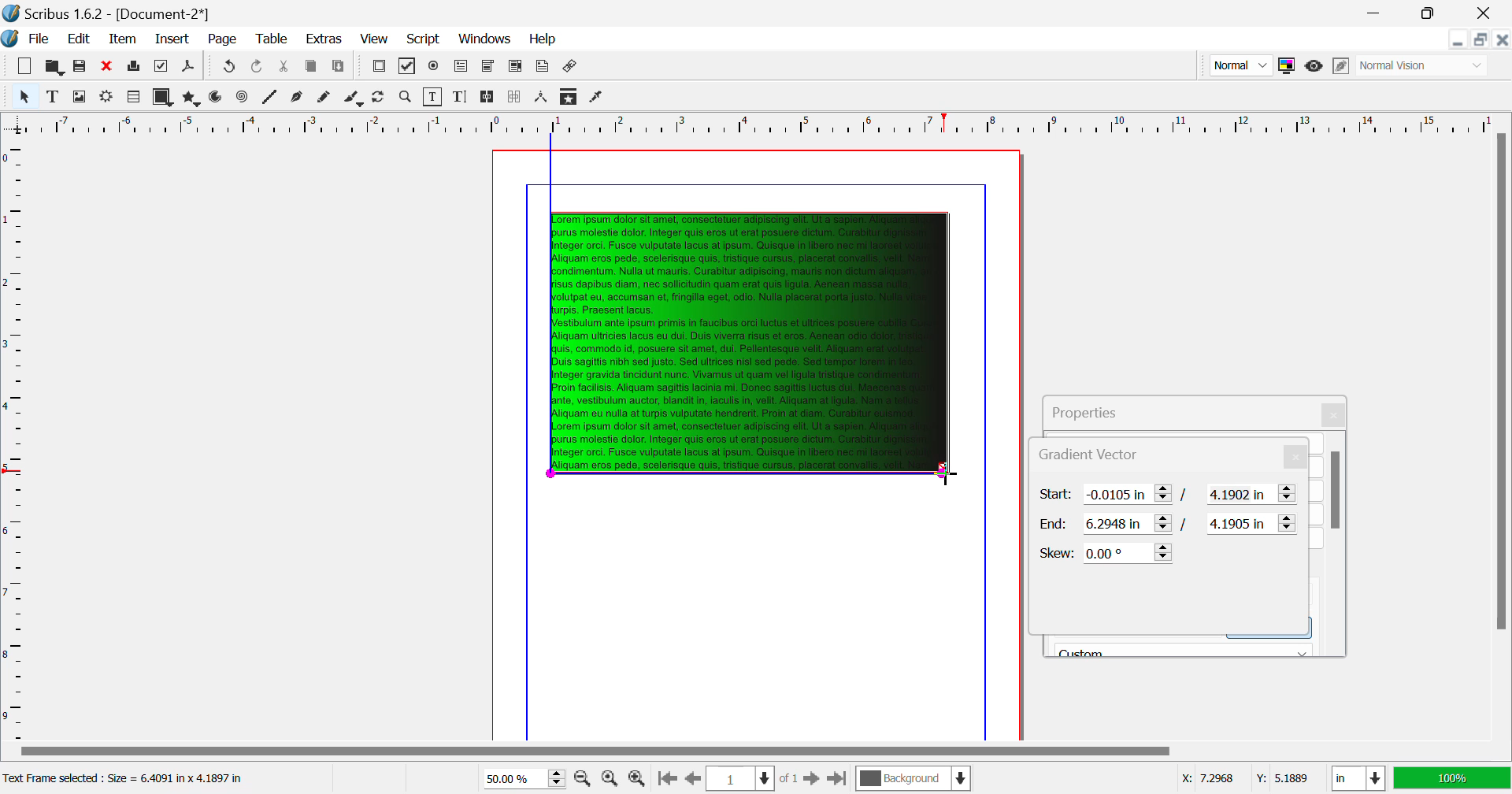 The width and height of the screenshot is (1512, 794). I want to click on Open, so click(54, 65).